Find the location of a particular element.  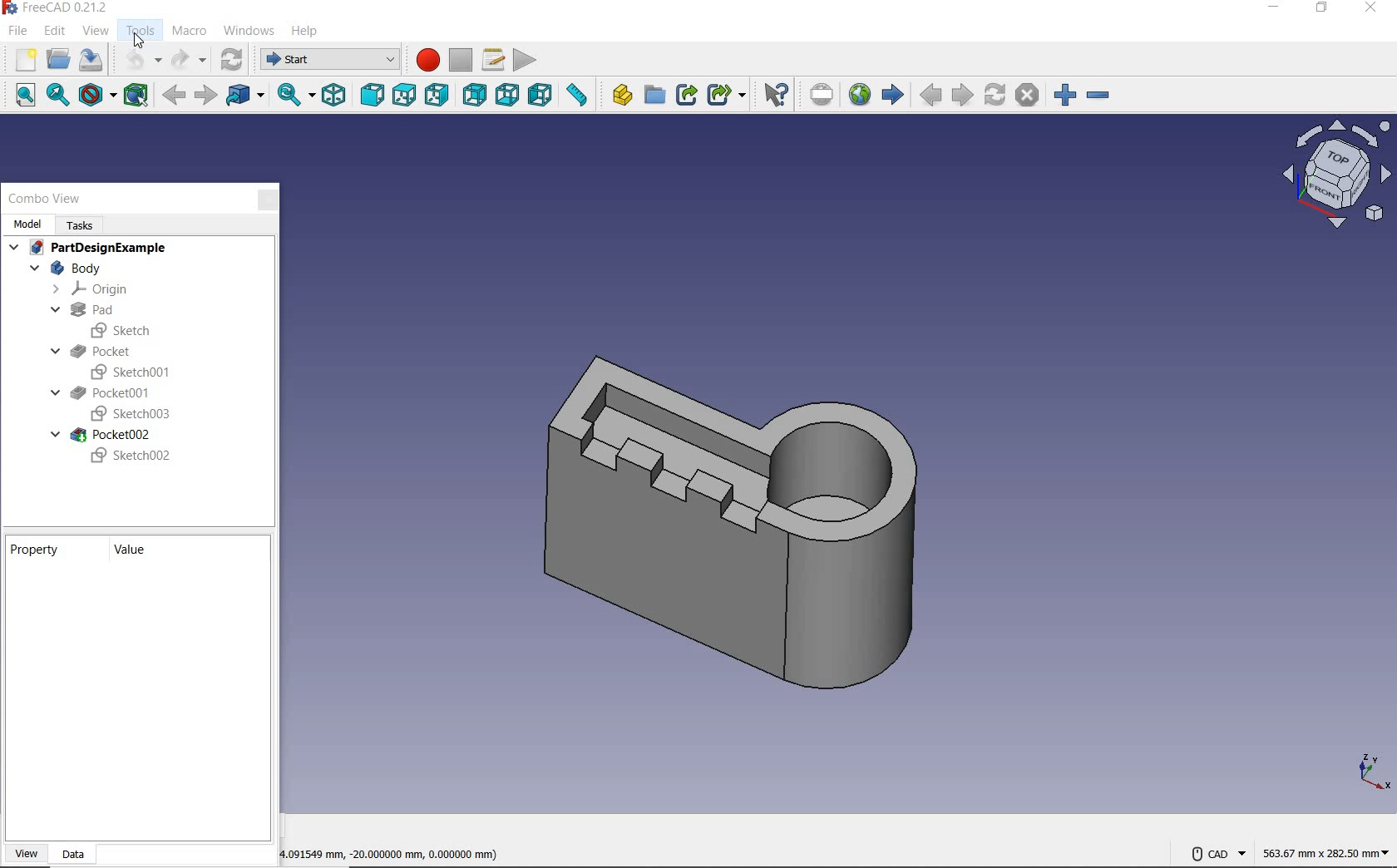

Go to linked object is located at coordinates (245, 96).